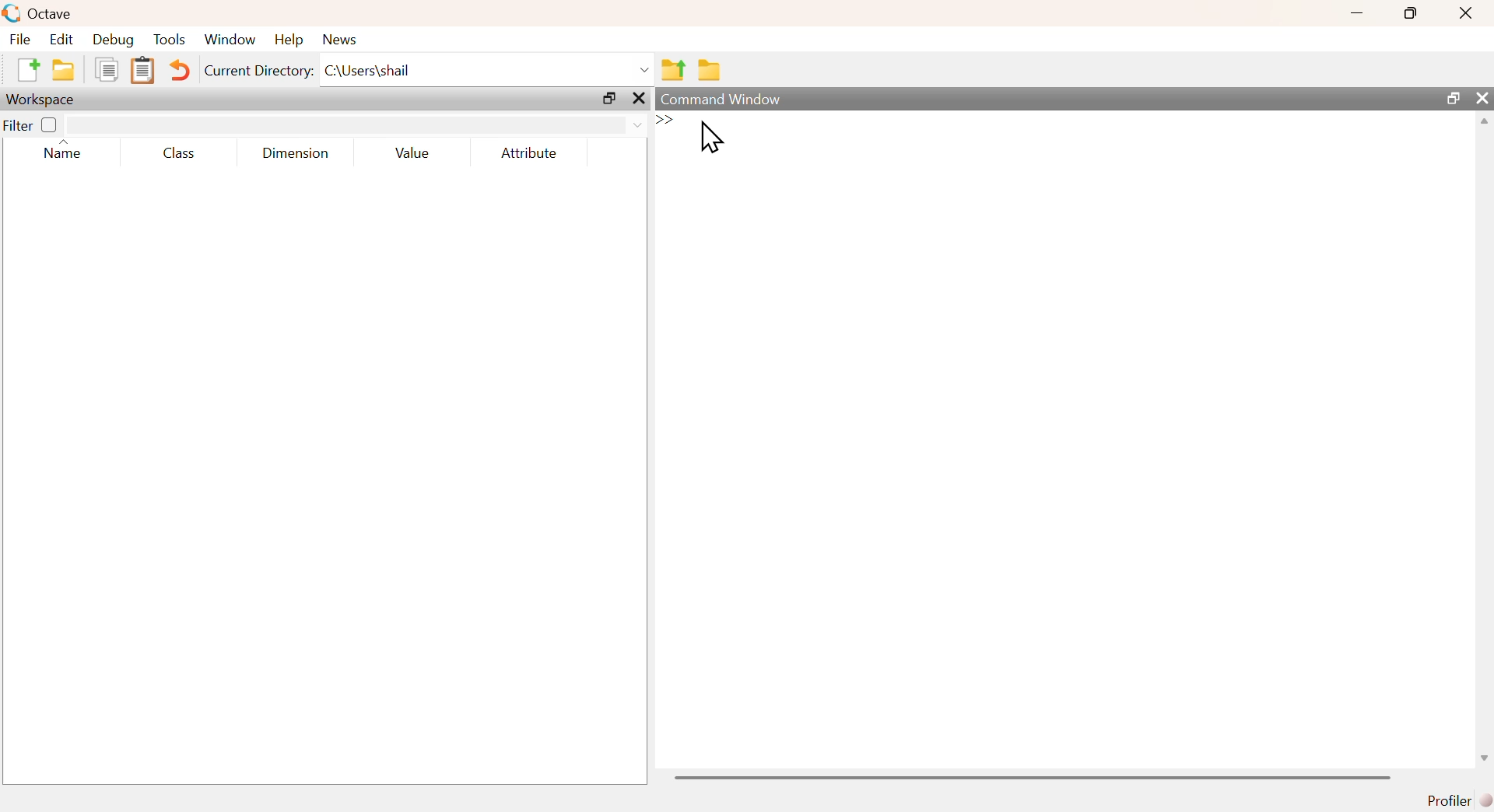  What do you see at coordinates (142, 72) in the screenshot?
I see `paste` at bounding box center [142, 72].